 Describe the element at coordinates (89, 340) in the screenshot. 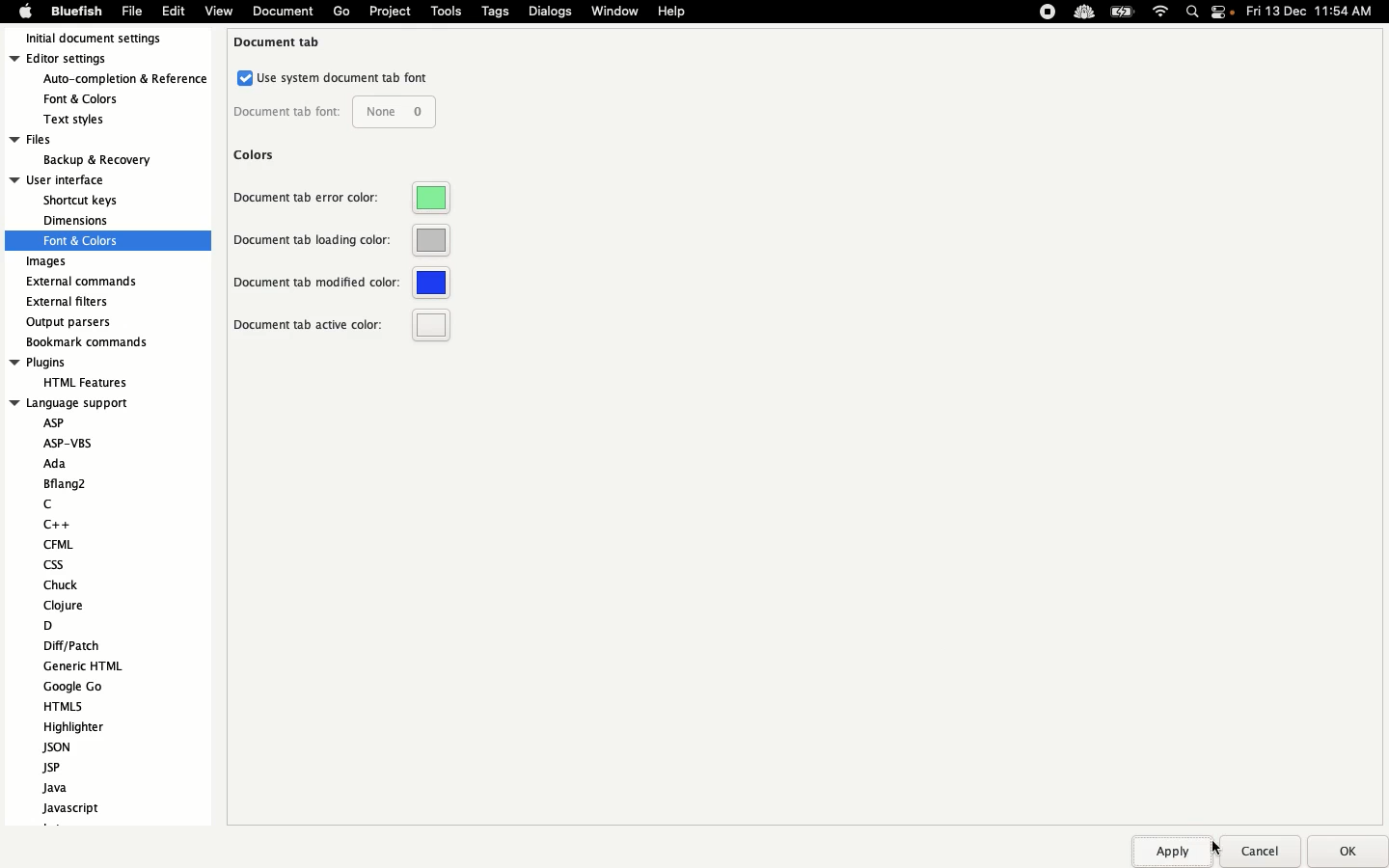

I see `Bookmark recommends` at that location.